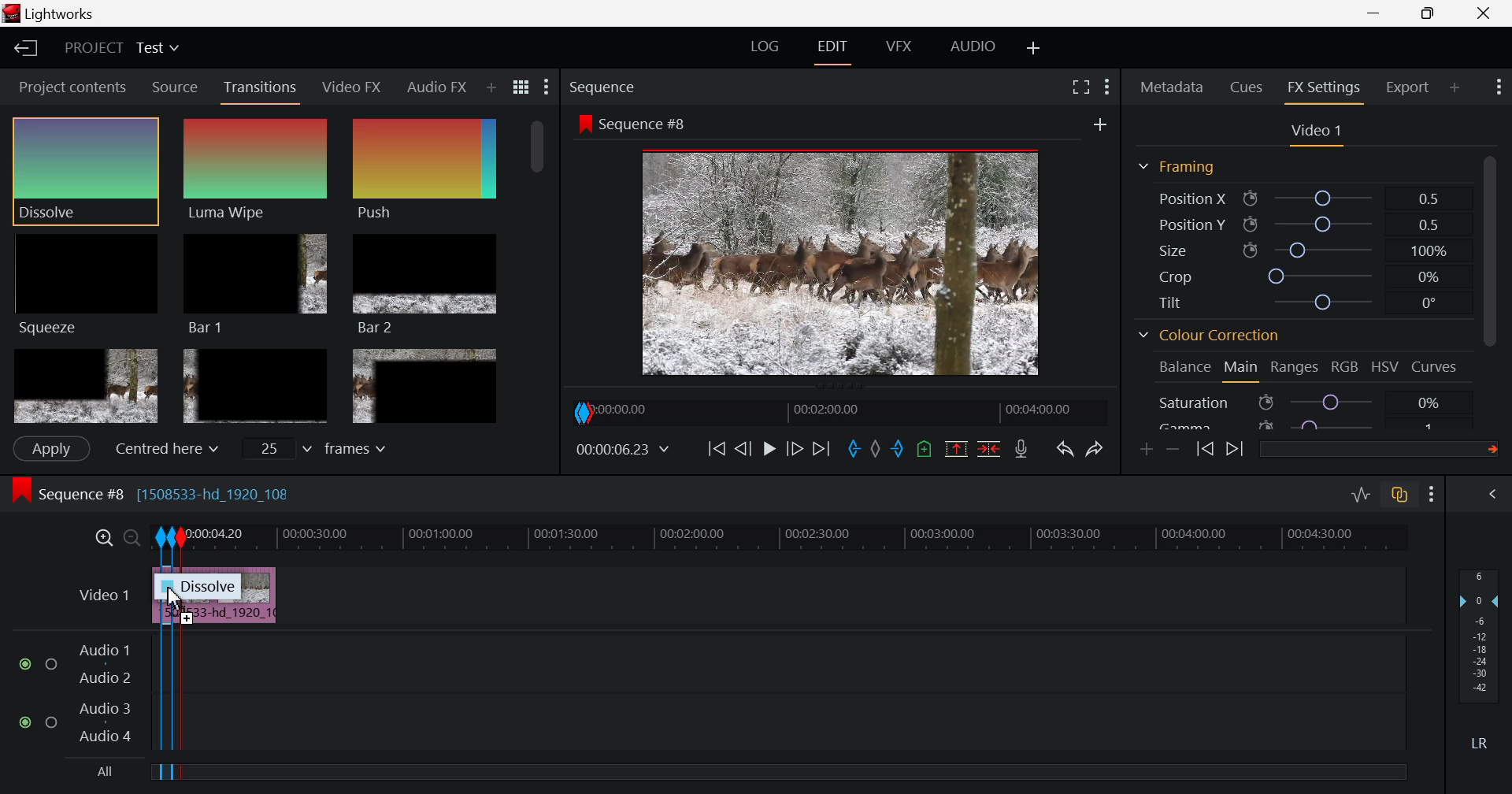 The image size is (1512, 794). I want to click on Lightworks, so click(56, 14).